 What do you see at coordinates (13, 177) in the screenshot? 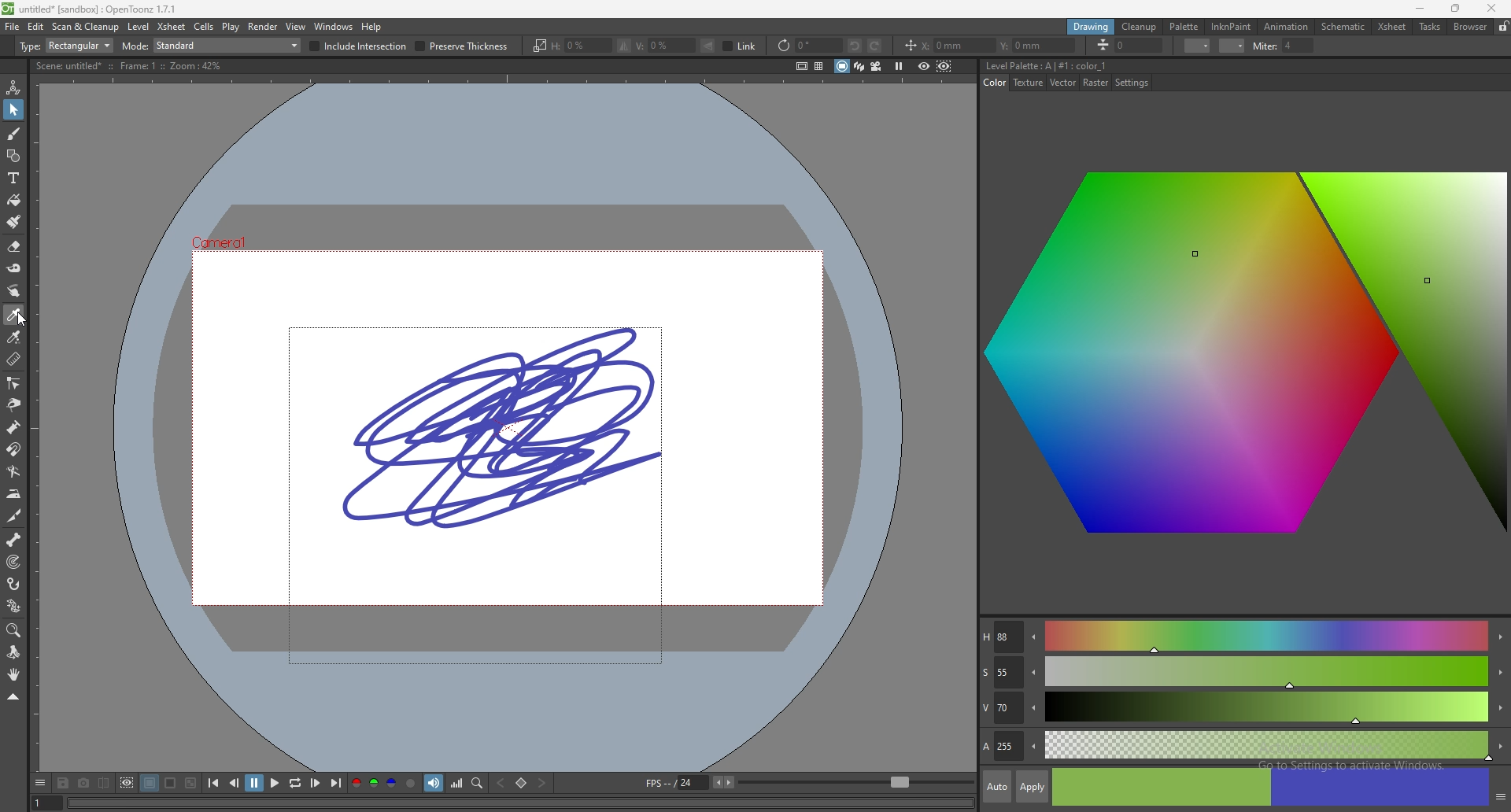
I see `type tool` at bounding box center [13, 177].